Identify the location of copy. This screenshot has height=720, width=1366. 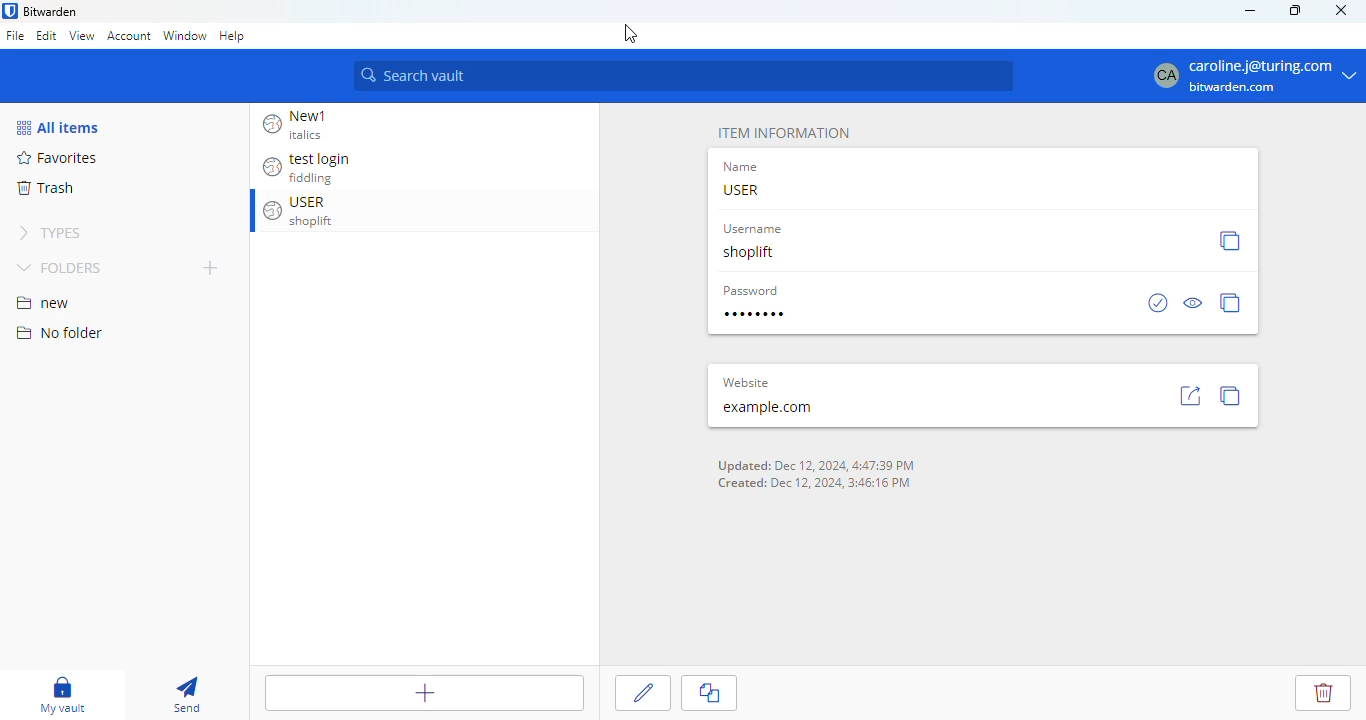
(711, 694).